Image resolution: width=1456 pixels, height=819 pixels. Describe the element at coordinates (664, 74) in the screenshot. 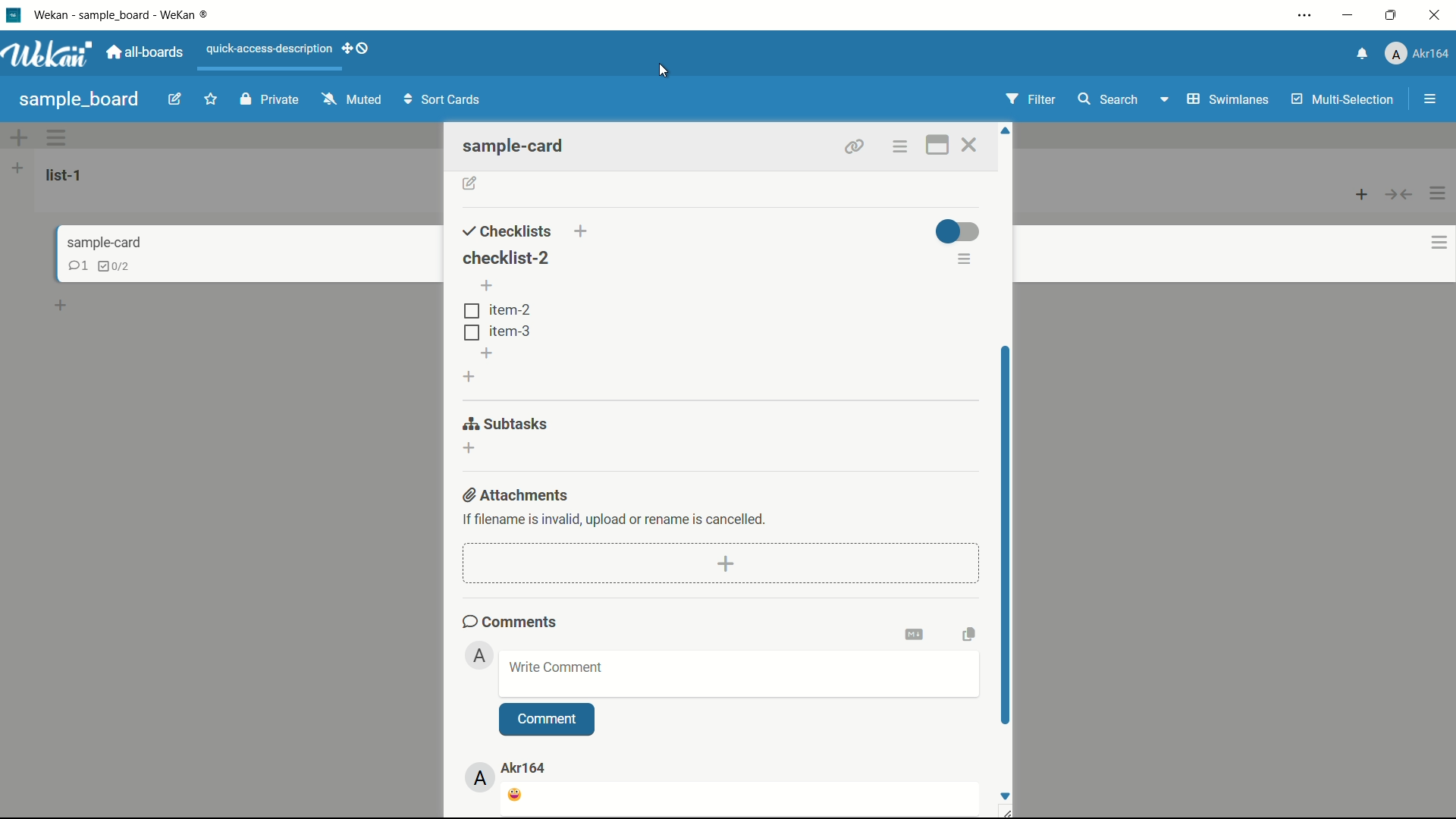

I see `cursor` at that location.